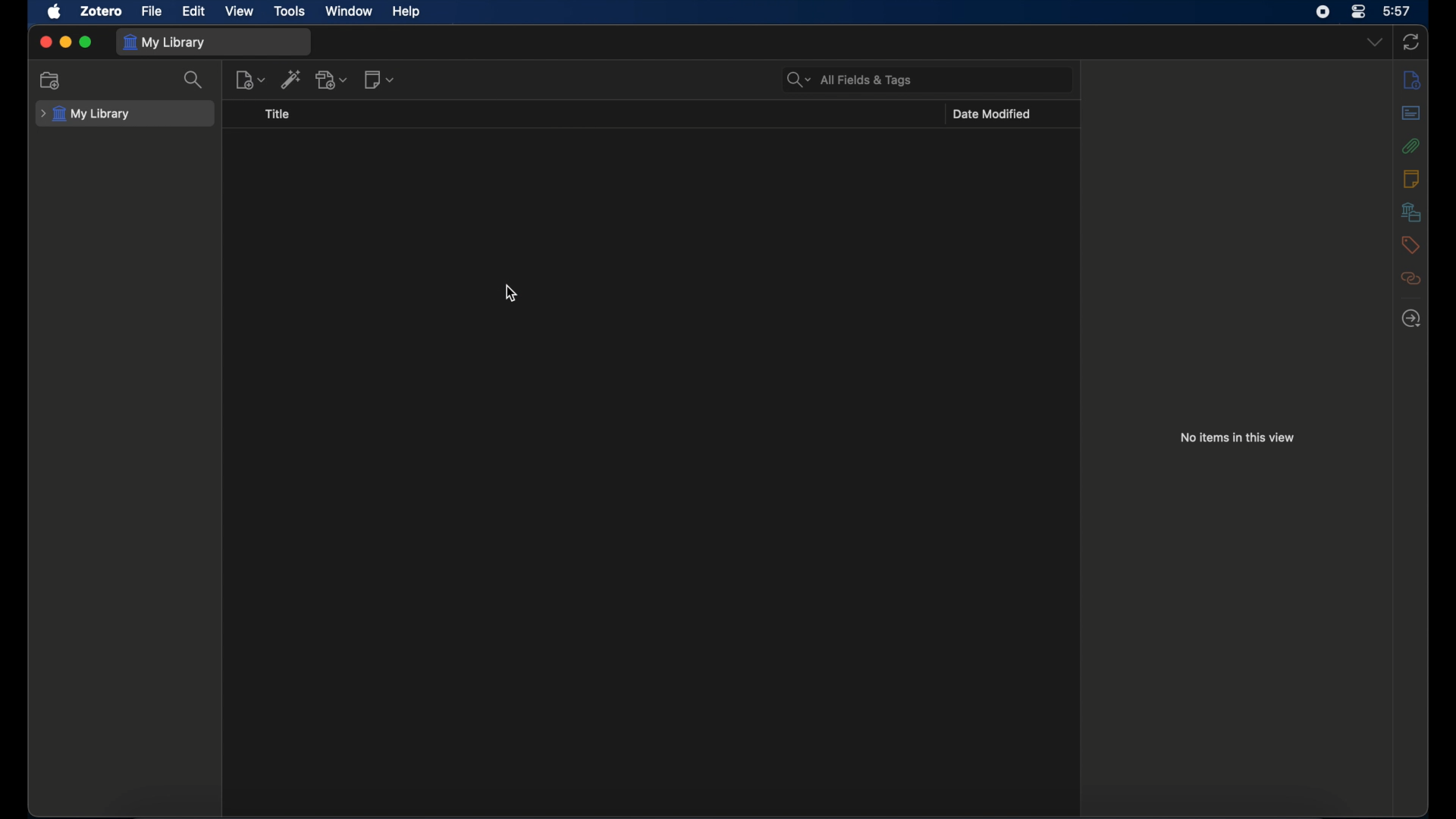 This screenshot has width=1456, height=819. I want to click on tools, so click(290, 11).